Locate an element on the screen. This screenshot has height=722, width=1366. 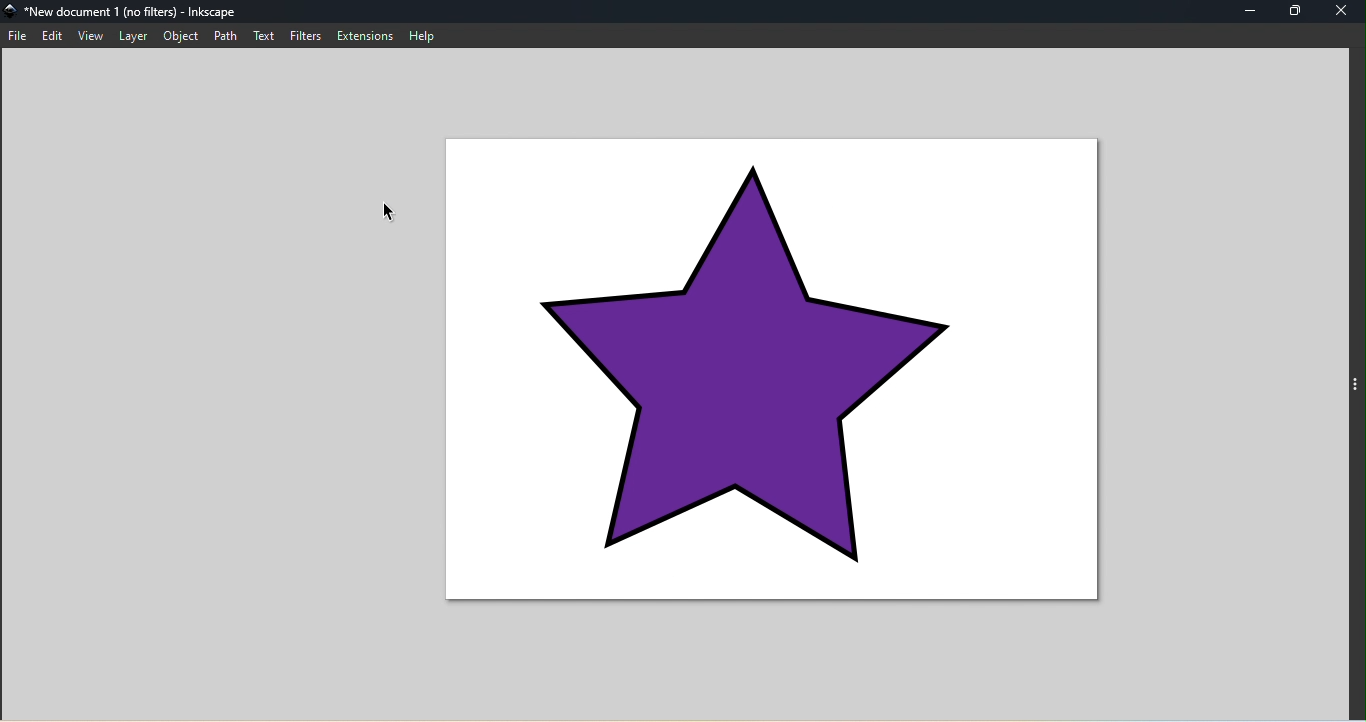
Minimize is located at coordinates (1244, 11).